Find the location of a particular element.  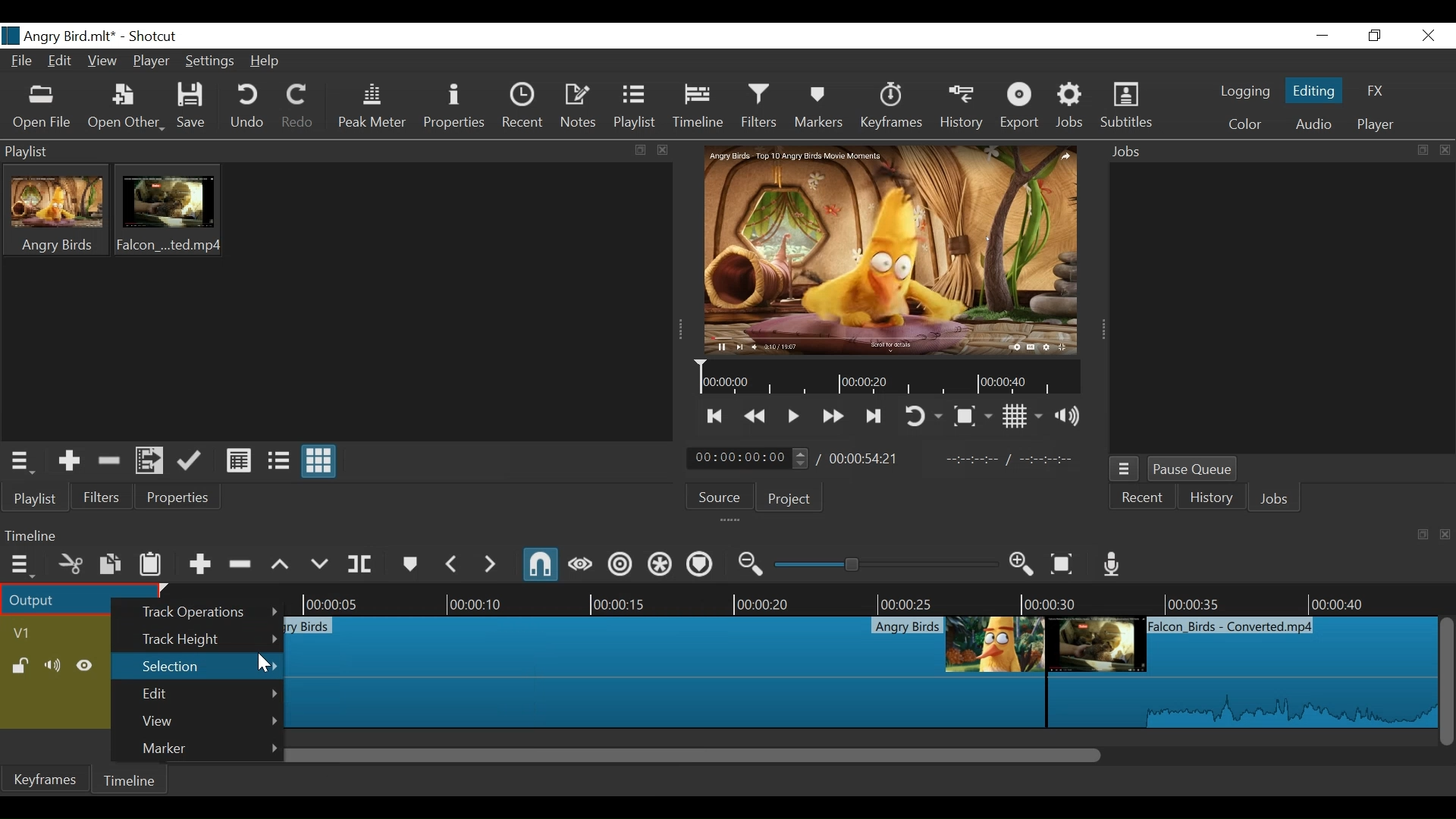

View as icon is located at coordinates (318, 462).